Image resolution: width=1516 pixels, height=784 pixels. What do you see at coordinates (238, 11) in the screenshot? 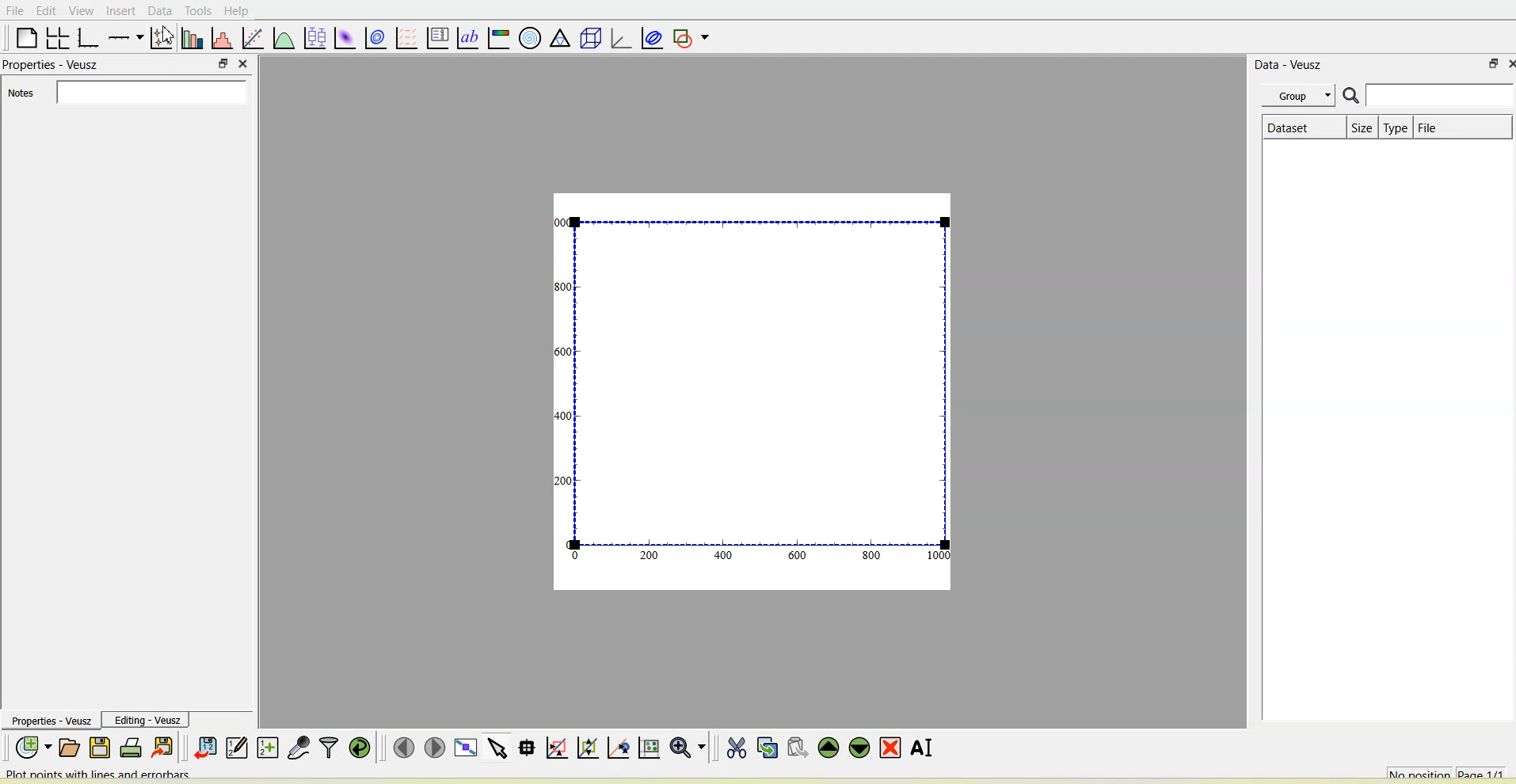
I see `Help` at bounding box center [238, 11].